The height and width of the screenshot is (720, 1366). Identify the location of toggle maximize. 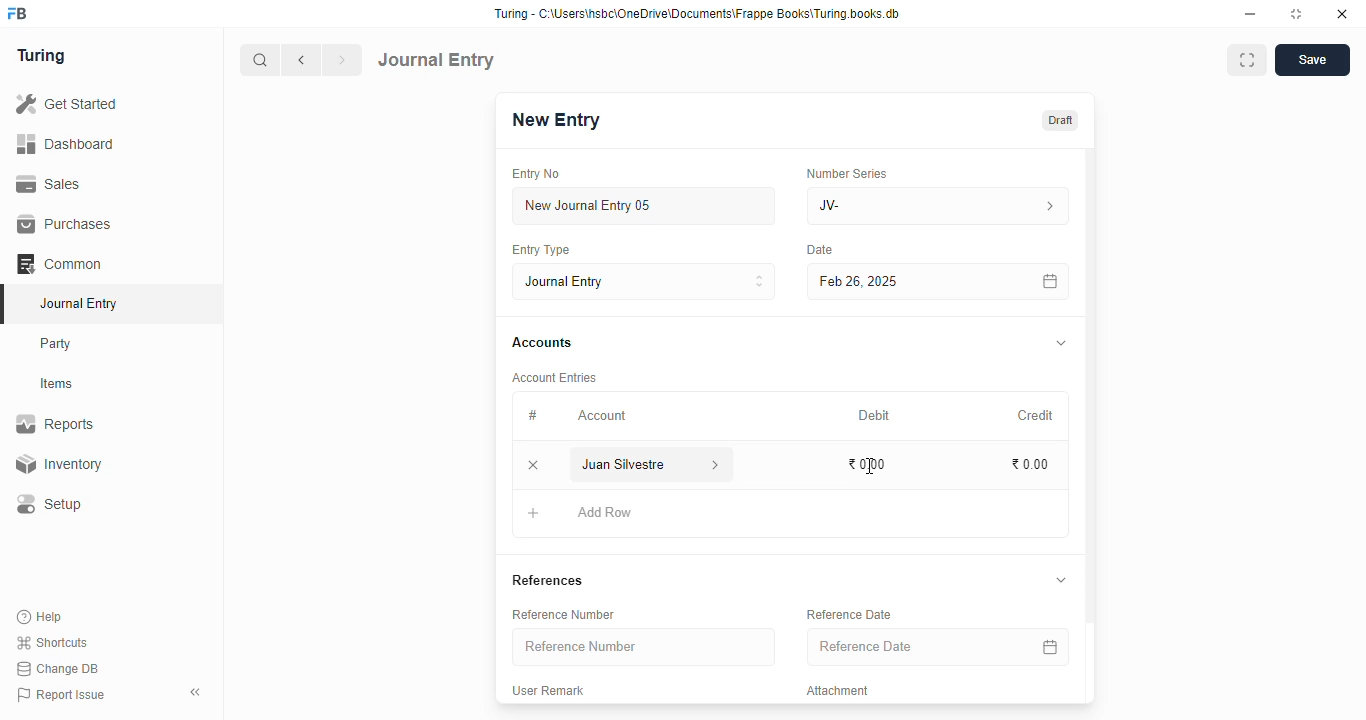
(1296, 14).